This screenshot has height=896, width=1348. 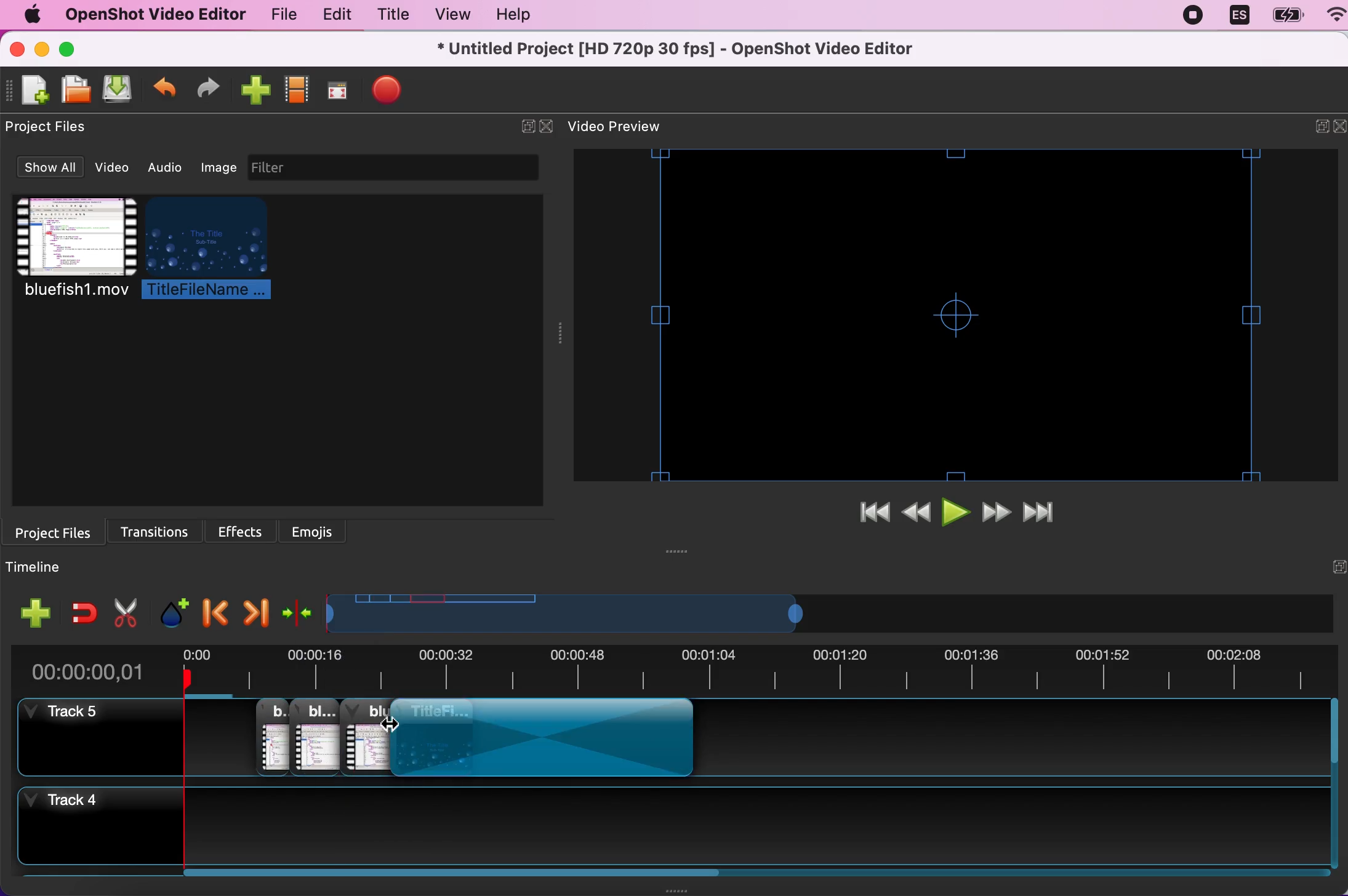 What do you see at coordinates (149, 14) in the screenshot?
I see `openshot video editor` at bounding box center [149, 14].